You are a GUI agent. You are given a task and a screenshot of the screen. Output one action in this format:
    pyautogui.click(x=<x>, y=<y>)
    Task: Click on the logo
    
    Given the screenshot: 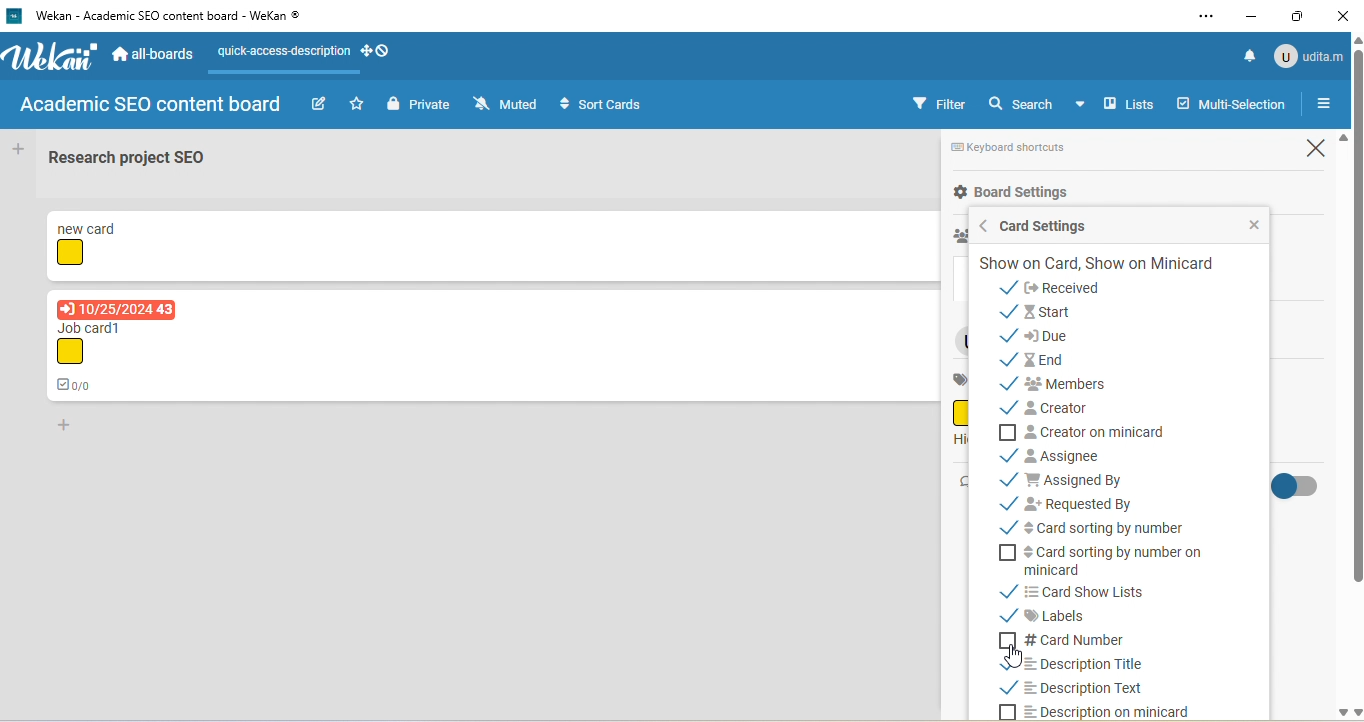 What is the action you would take?
    pyautogui.click(x=55, y=57)
    